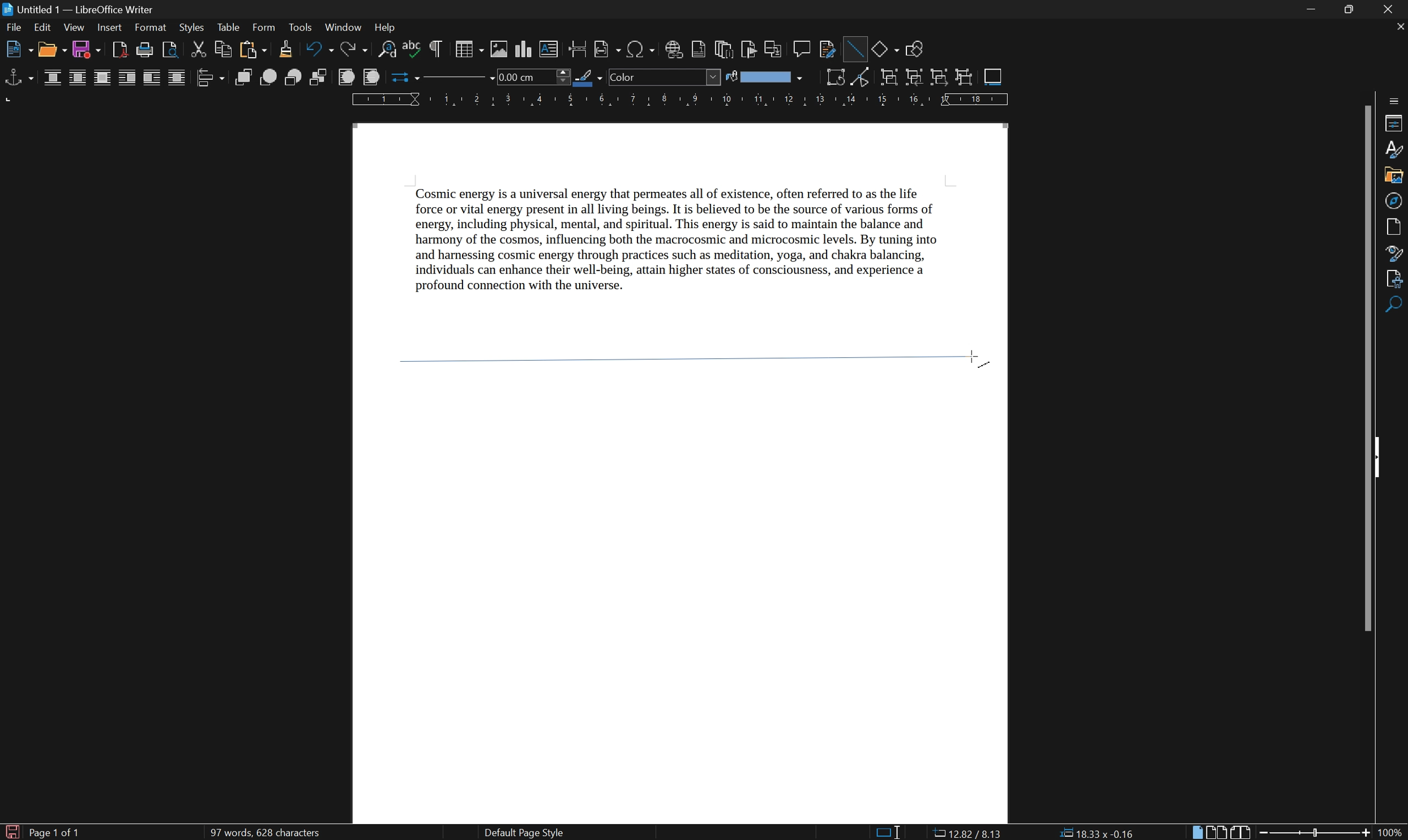 The image size is (1408, 840). Describe the element at coordinates (17, 78) in the screenshot. I see `select anchor for object` at that location.